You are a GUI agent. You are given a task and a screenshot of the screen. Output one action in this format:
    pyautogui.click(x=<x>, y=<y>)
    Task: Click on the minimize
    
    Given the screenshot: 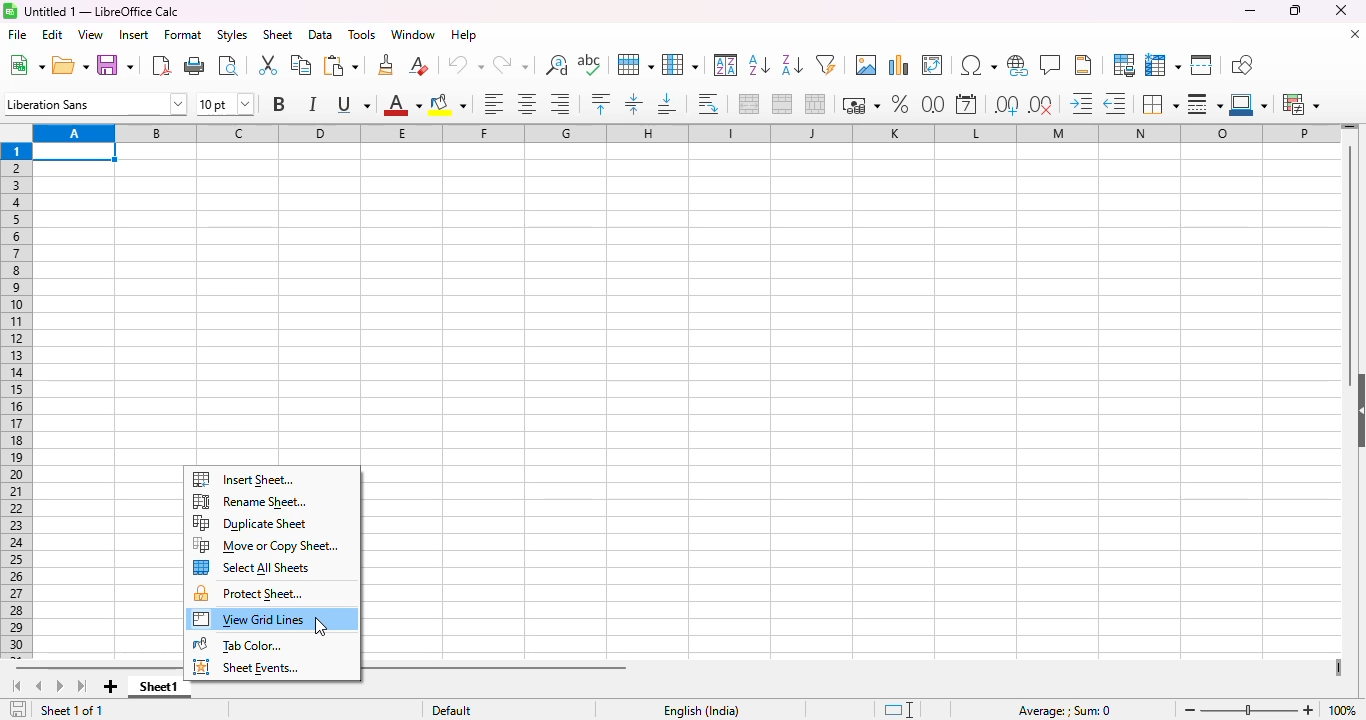 What is the action you would take?
    pyautogui.click(x=1251, y=11)
    